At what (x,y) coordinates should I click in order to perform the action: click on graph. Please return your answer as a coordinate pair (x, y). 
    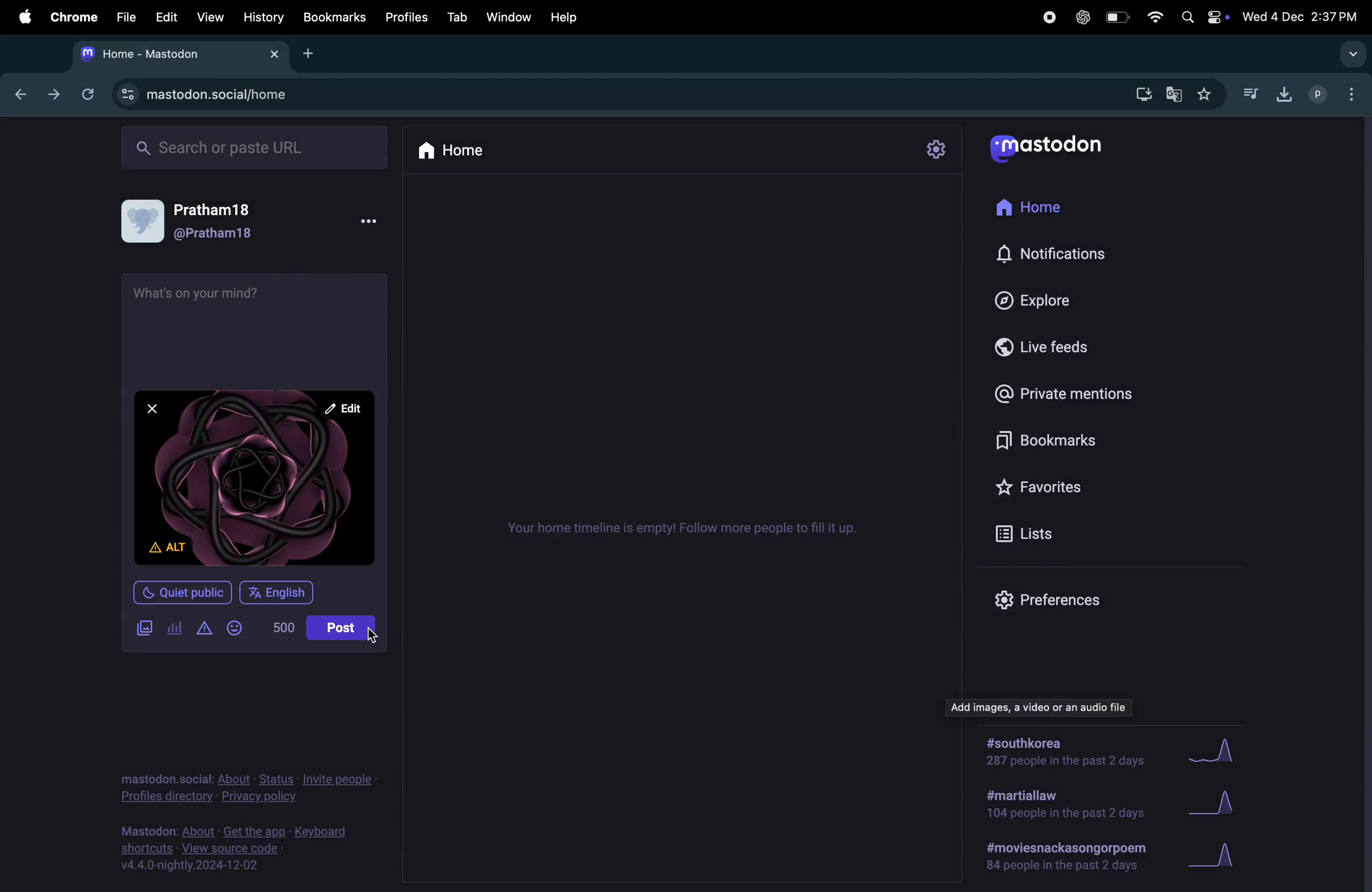
    Looking at the image, I should click on (1212, 751).